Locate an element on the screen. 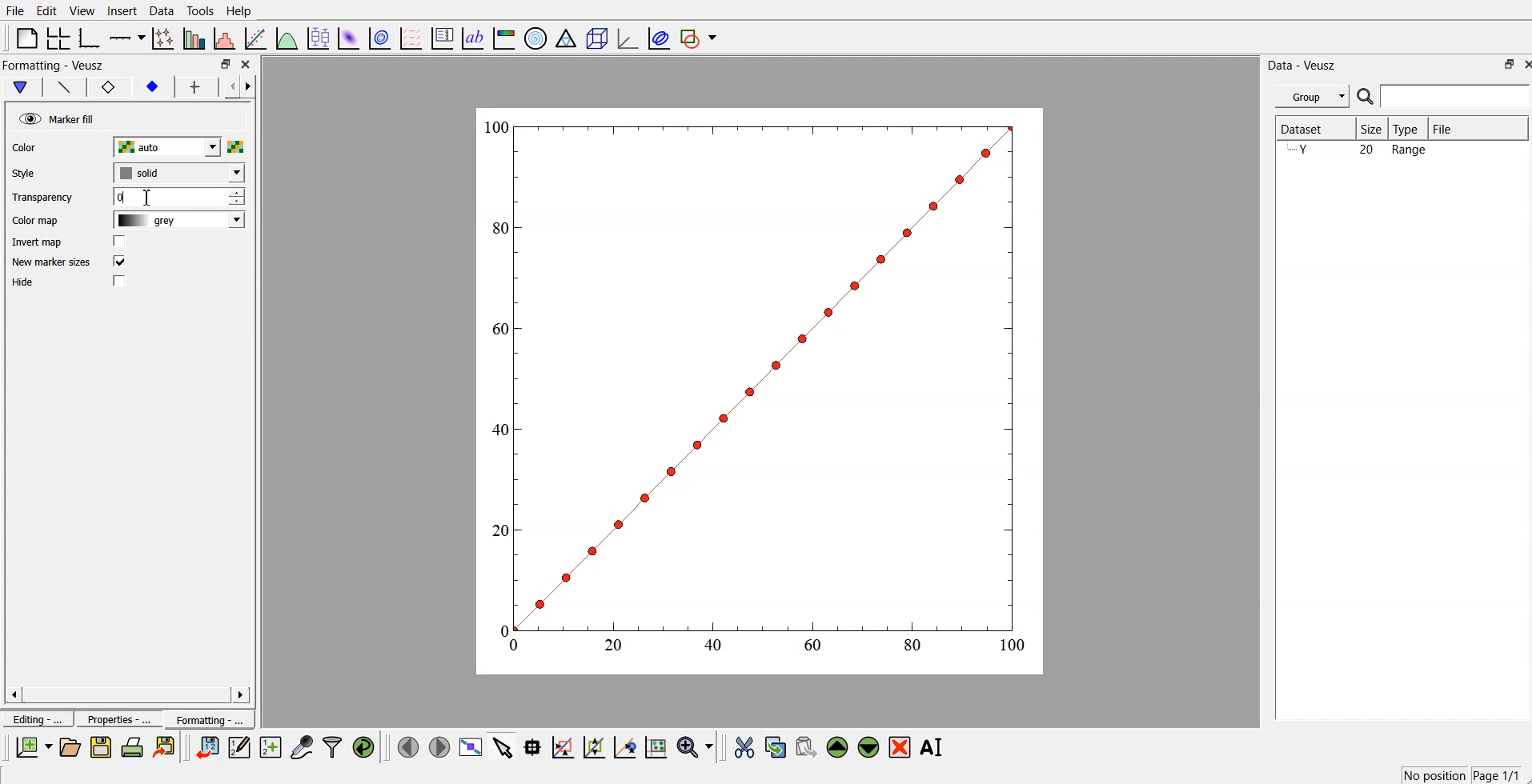 This screenshot has height=784, width=1532. y 20 range is located at coordinates (1362, 151).